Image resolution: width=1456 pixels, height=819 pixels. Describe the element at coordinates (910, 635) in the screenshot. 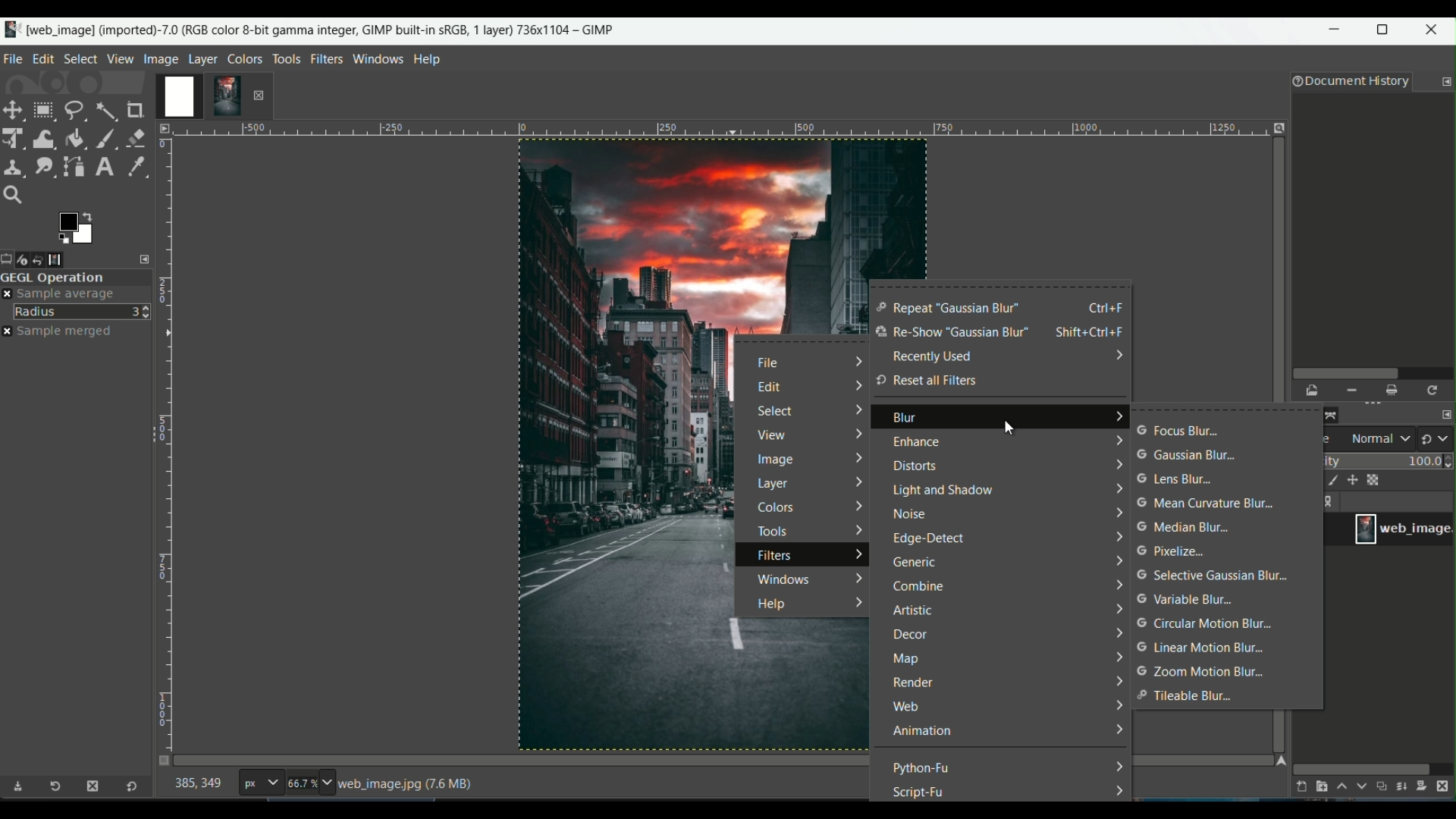

I see `decor` at that location.